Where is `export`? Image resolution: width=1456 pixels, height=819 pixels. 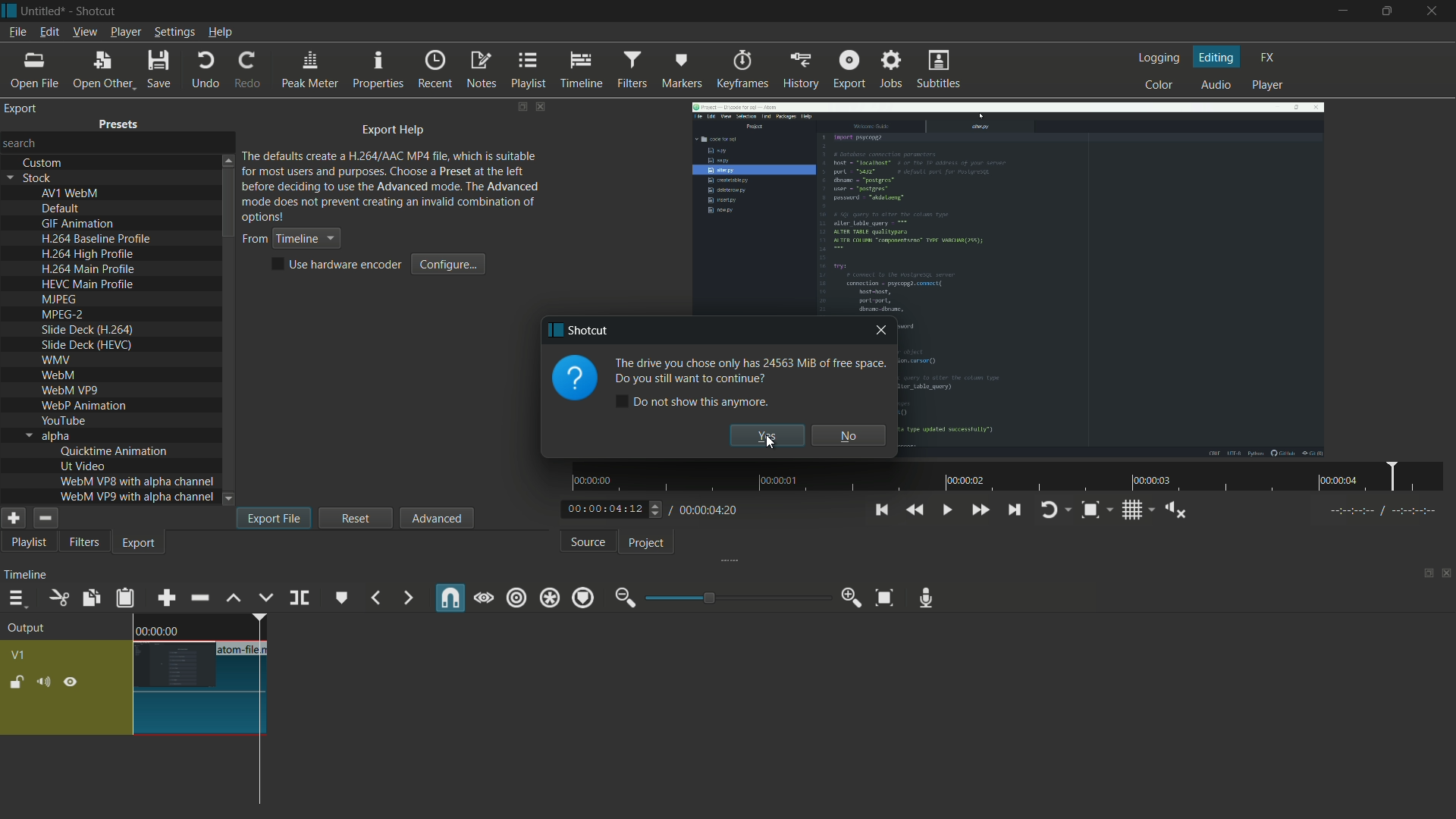 export is located at coordinates (22, 108).